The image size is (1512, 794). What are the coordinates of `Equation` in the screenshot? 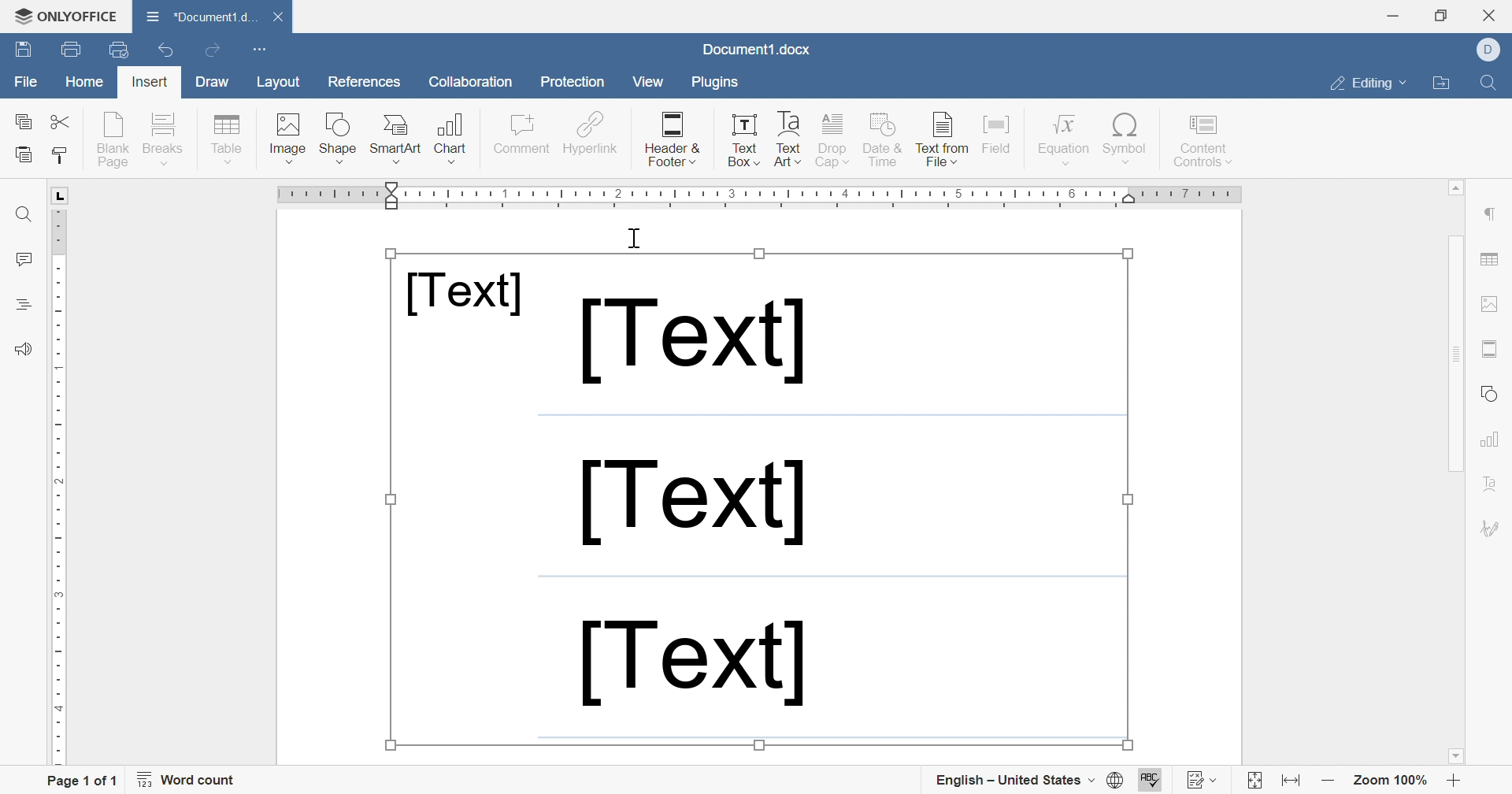 It's located at (1064, 139).